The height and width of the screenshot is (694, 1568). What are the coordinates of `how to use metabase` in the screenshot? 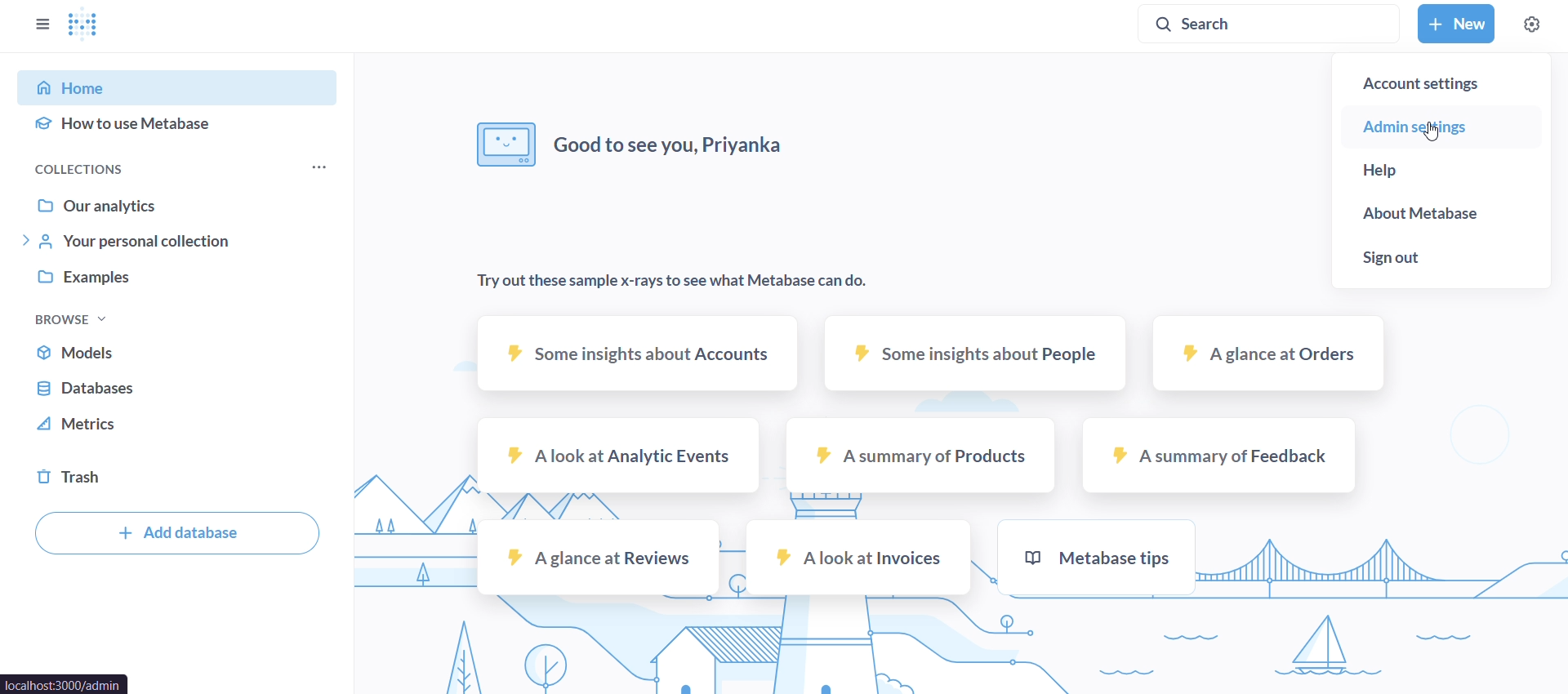 It's located at (184, 124).